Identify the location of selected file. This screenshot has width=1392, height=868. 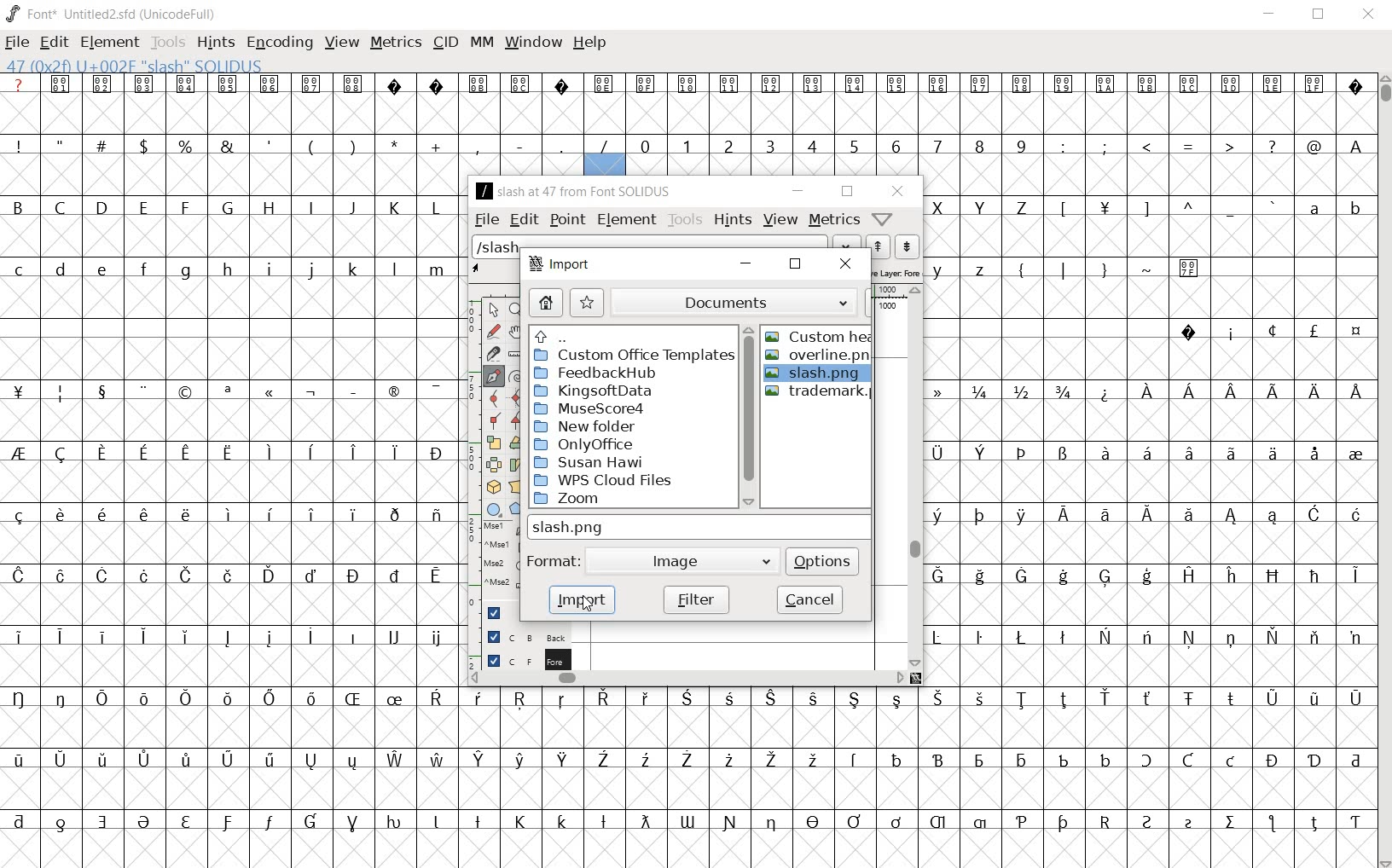
(817, 372).